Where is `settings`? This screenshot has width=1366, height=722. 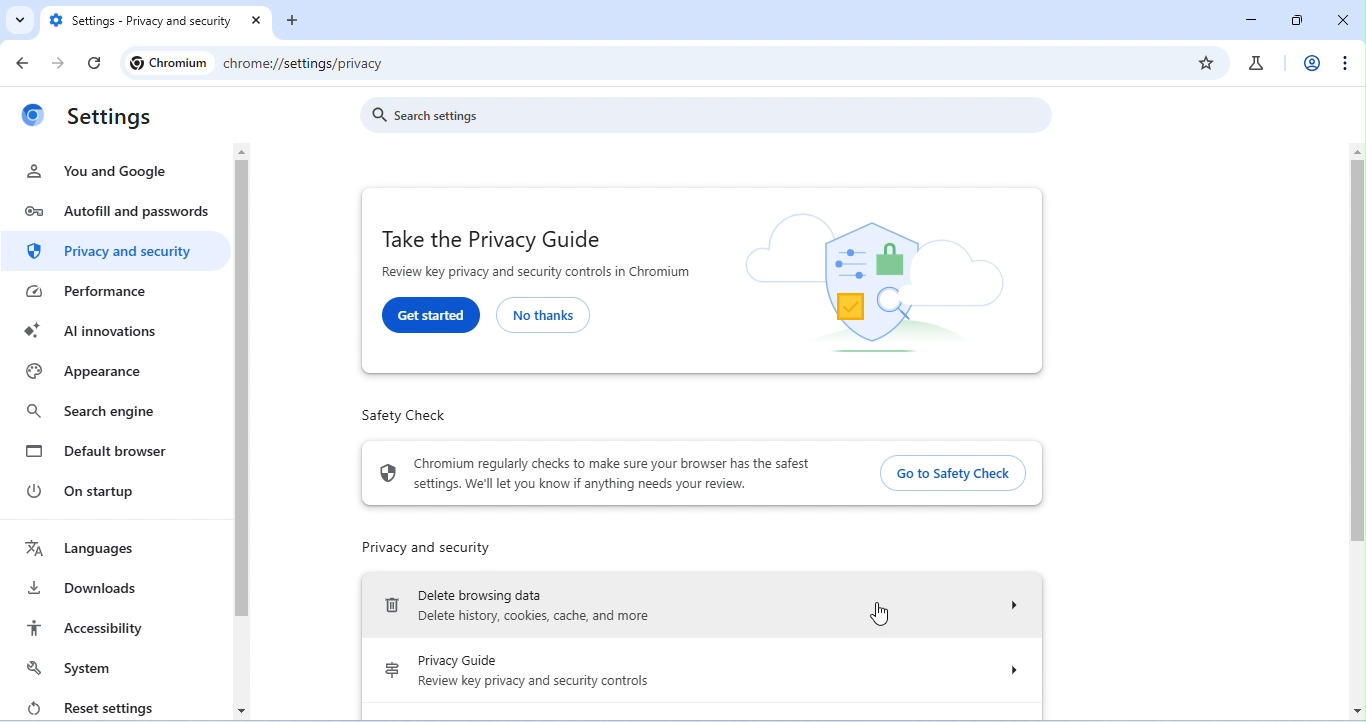
settings is located at coordinates (112, 118).